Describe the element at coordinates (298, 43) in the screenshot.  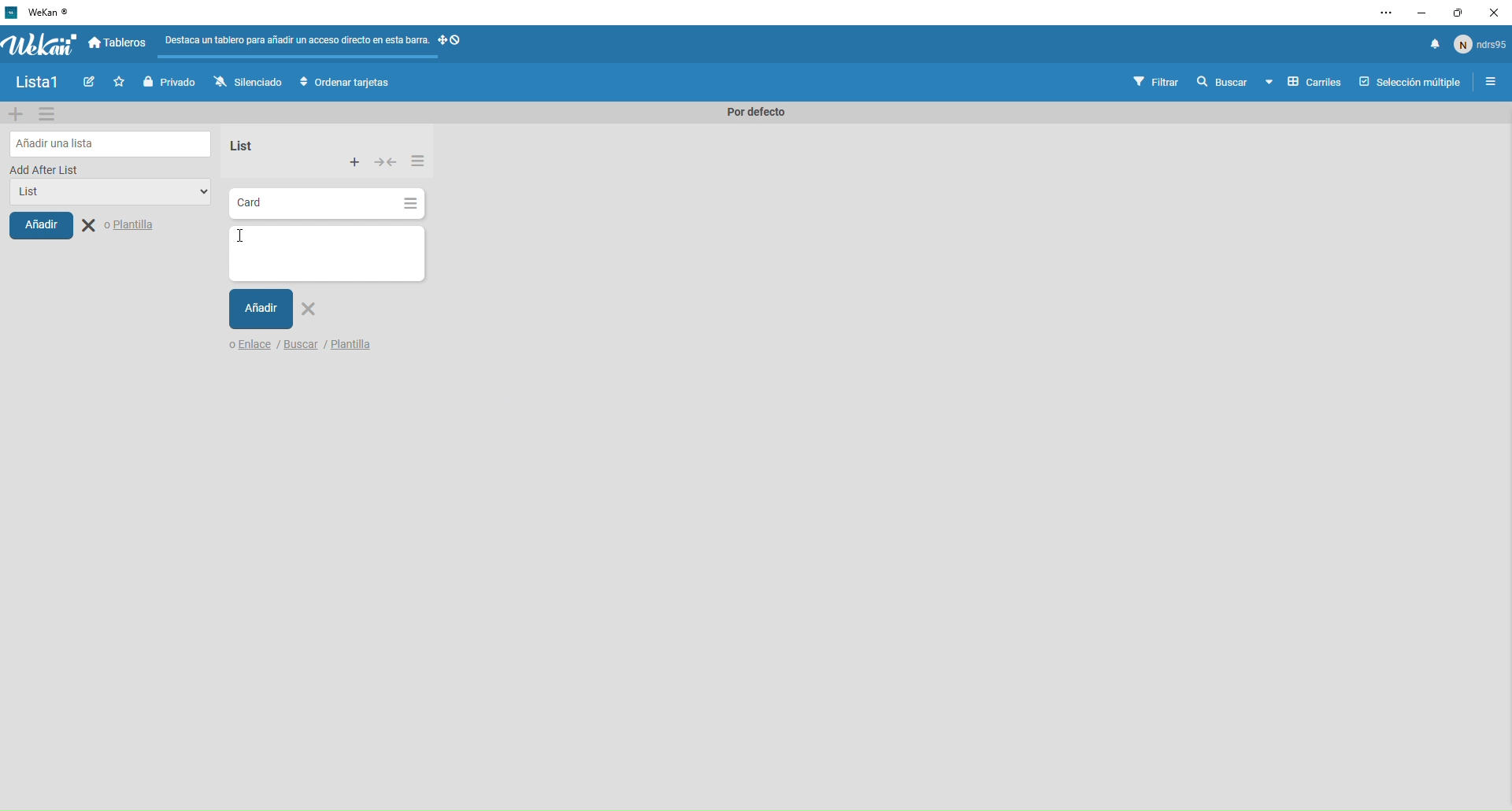
I see `Files` at that location.